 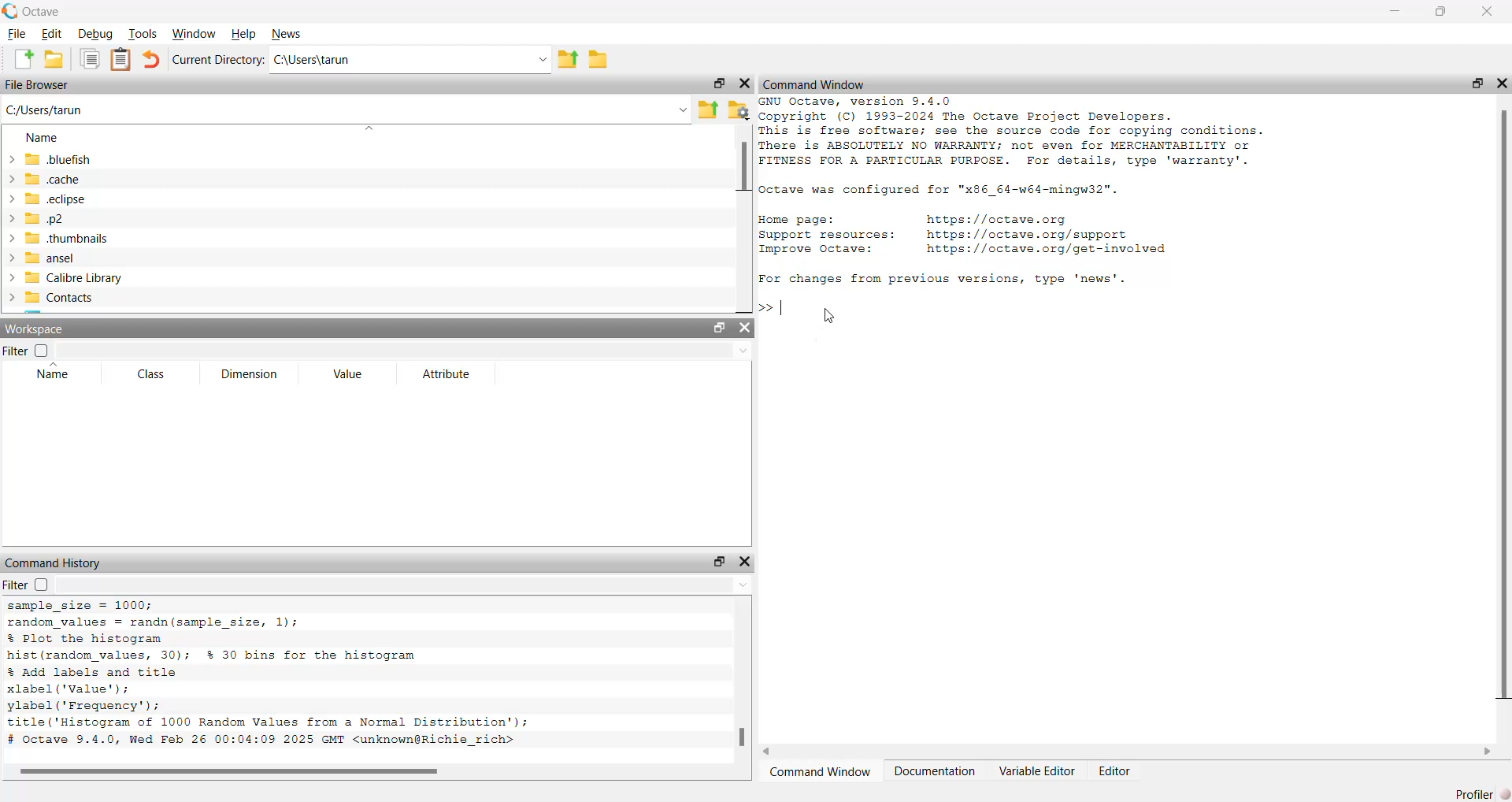 I want to click on Profiler, so click(x=1480, y=793).